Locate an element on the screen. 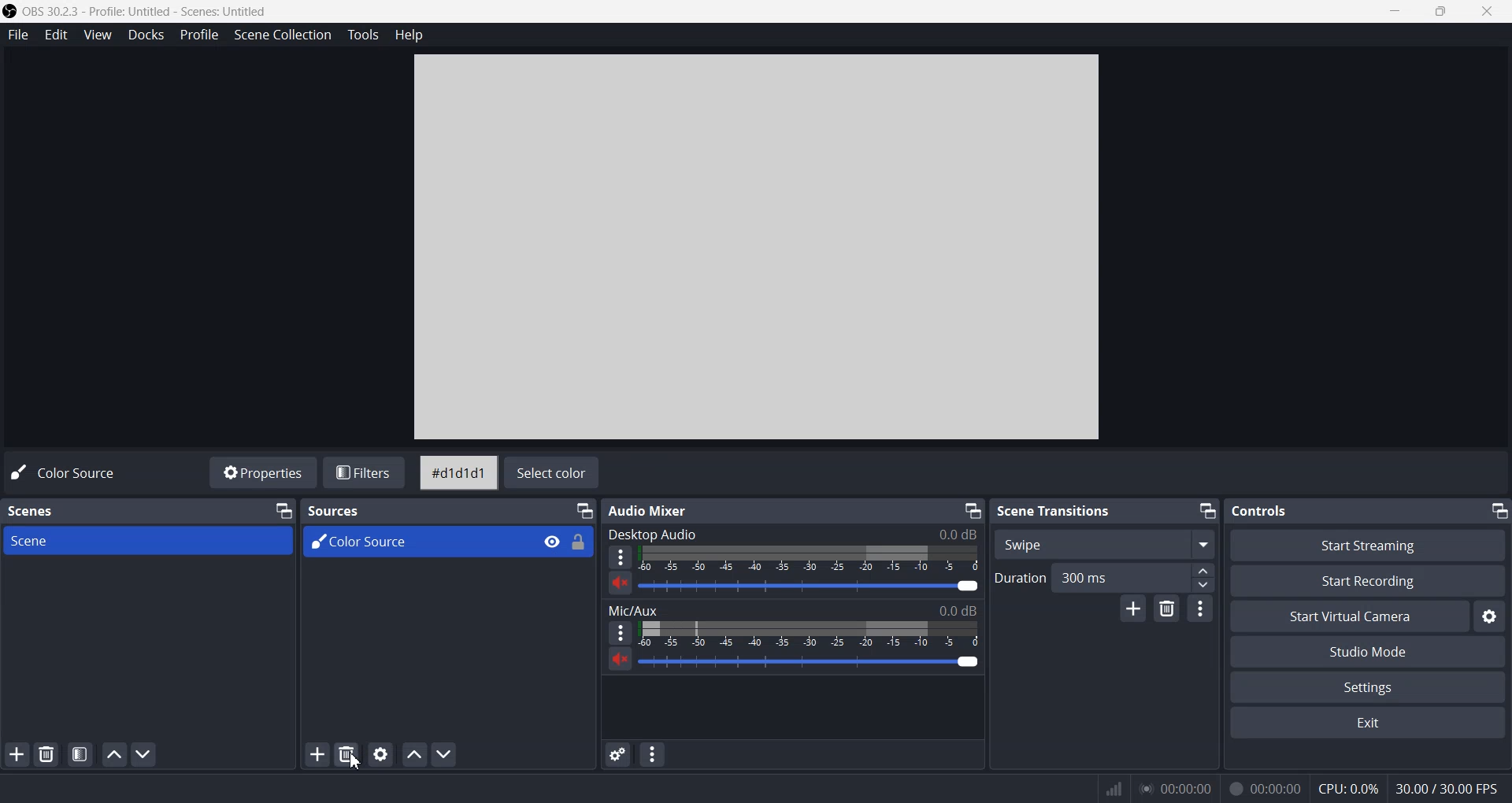  30.00/30.00 FPS is located at coordinates (1449, 787).